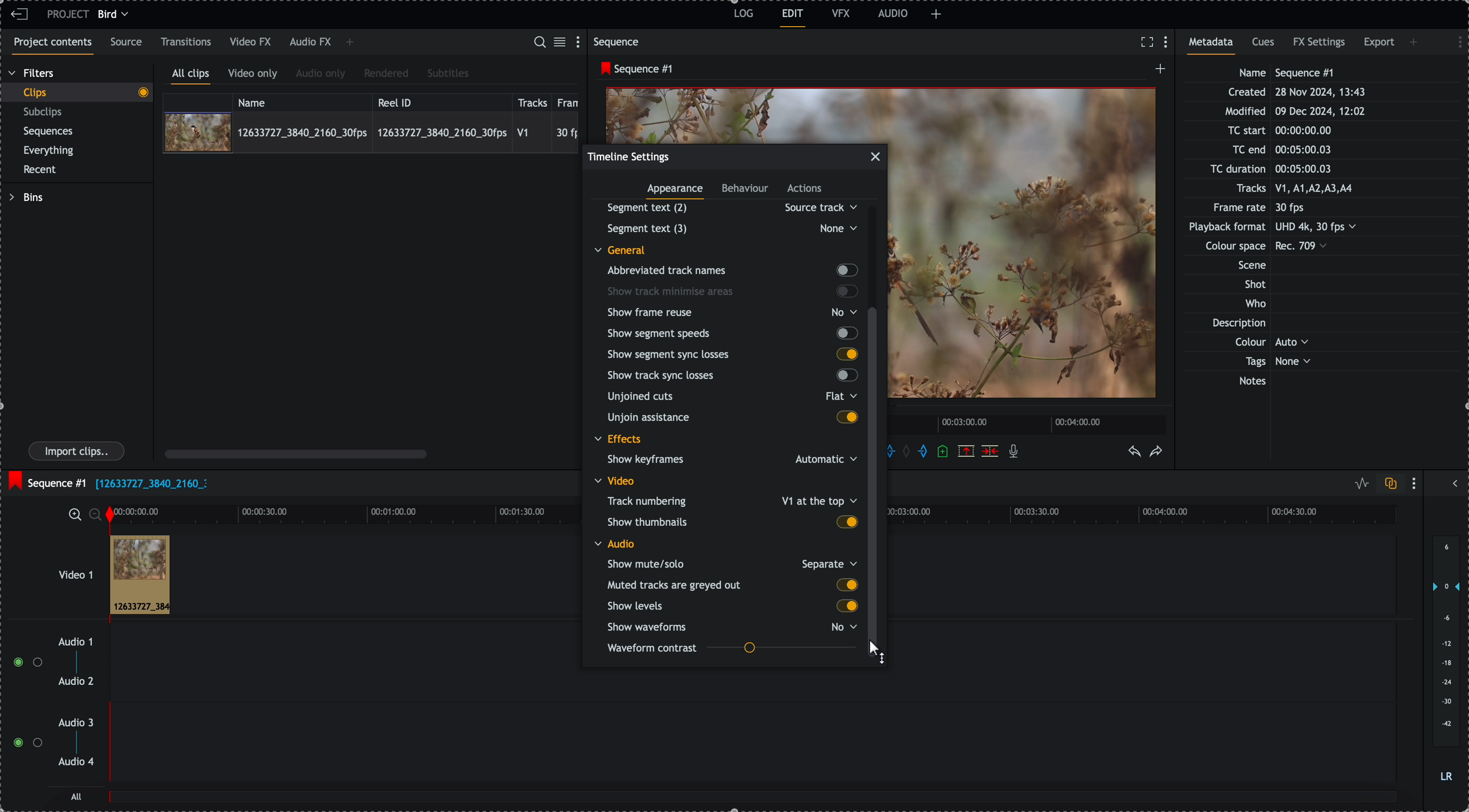 This screenshot has width=1469, height=812. Describe the element at coordinates (302, 101) in the screenshot. I see `name` at that location.